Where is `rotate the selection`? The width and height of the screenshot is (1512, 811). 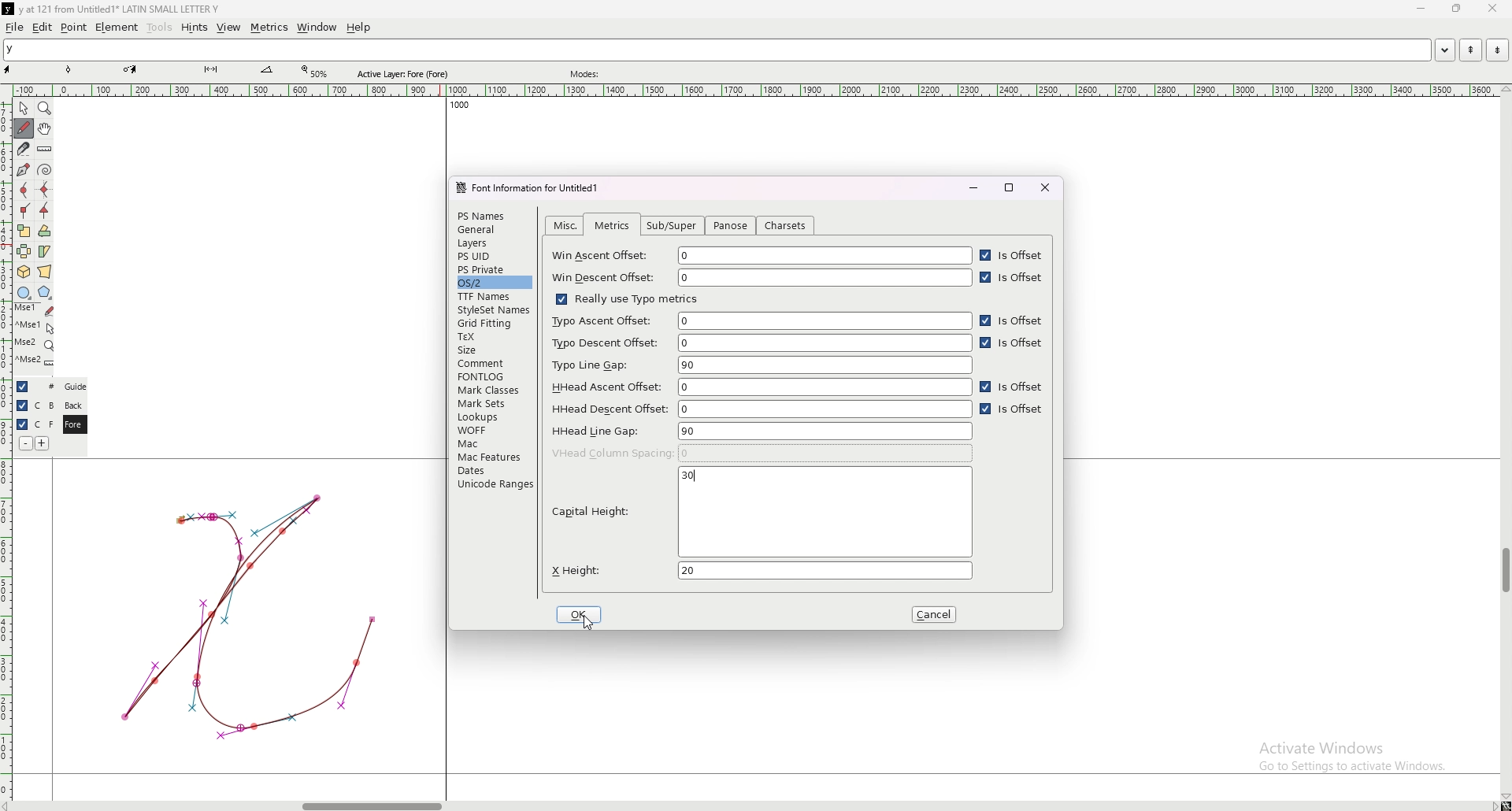 rotate the selection is located at coordinates (45, 231).